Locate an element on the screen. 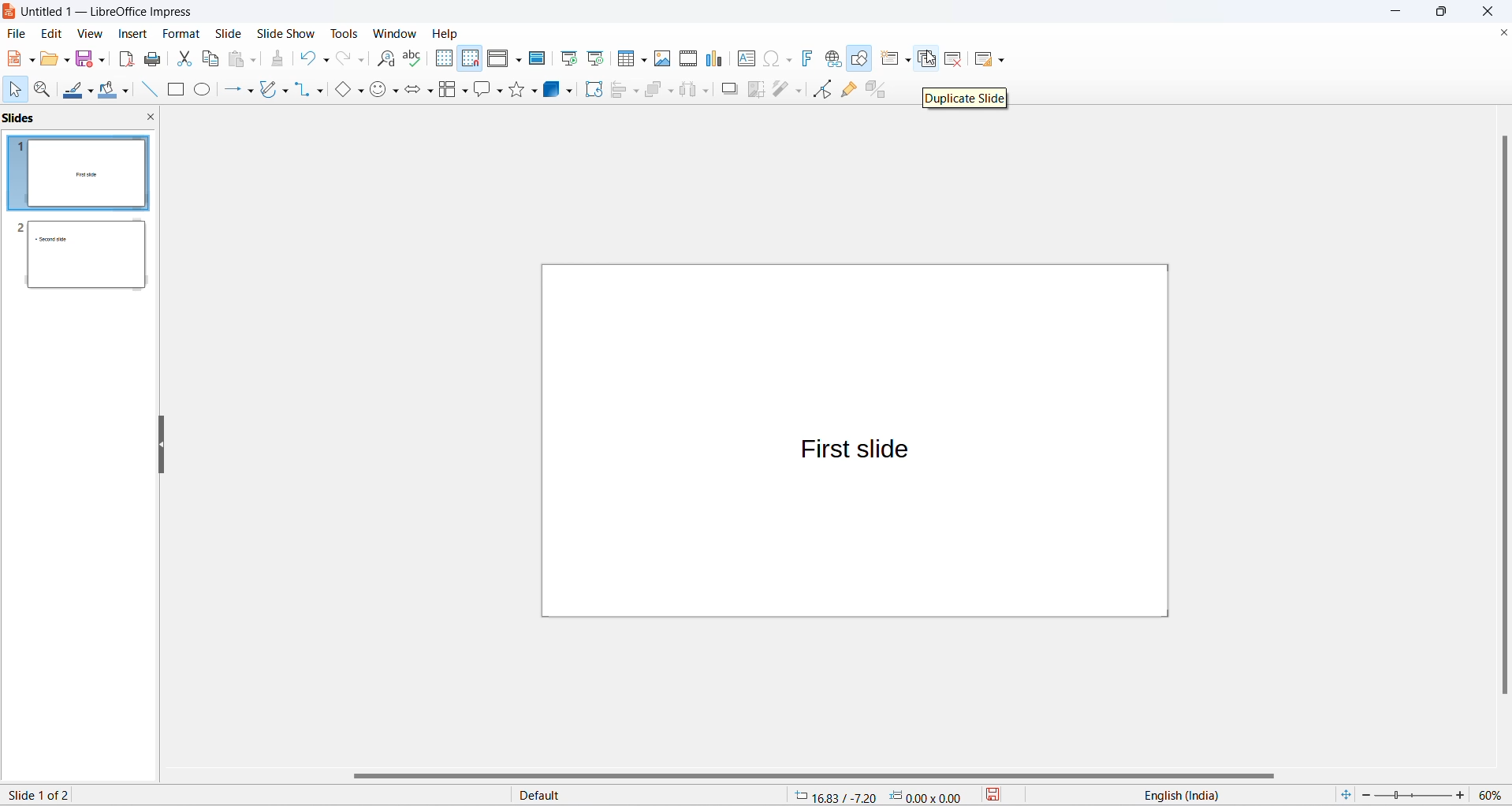 The width and height of the screenshot is (1512, 806). undo is located at coordinates (304, 58).